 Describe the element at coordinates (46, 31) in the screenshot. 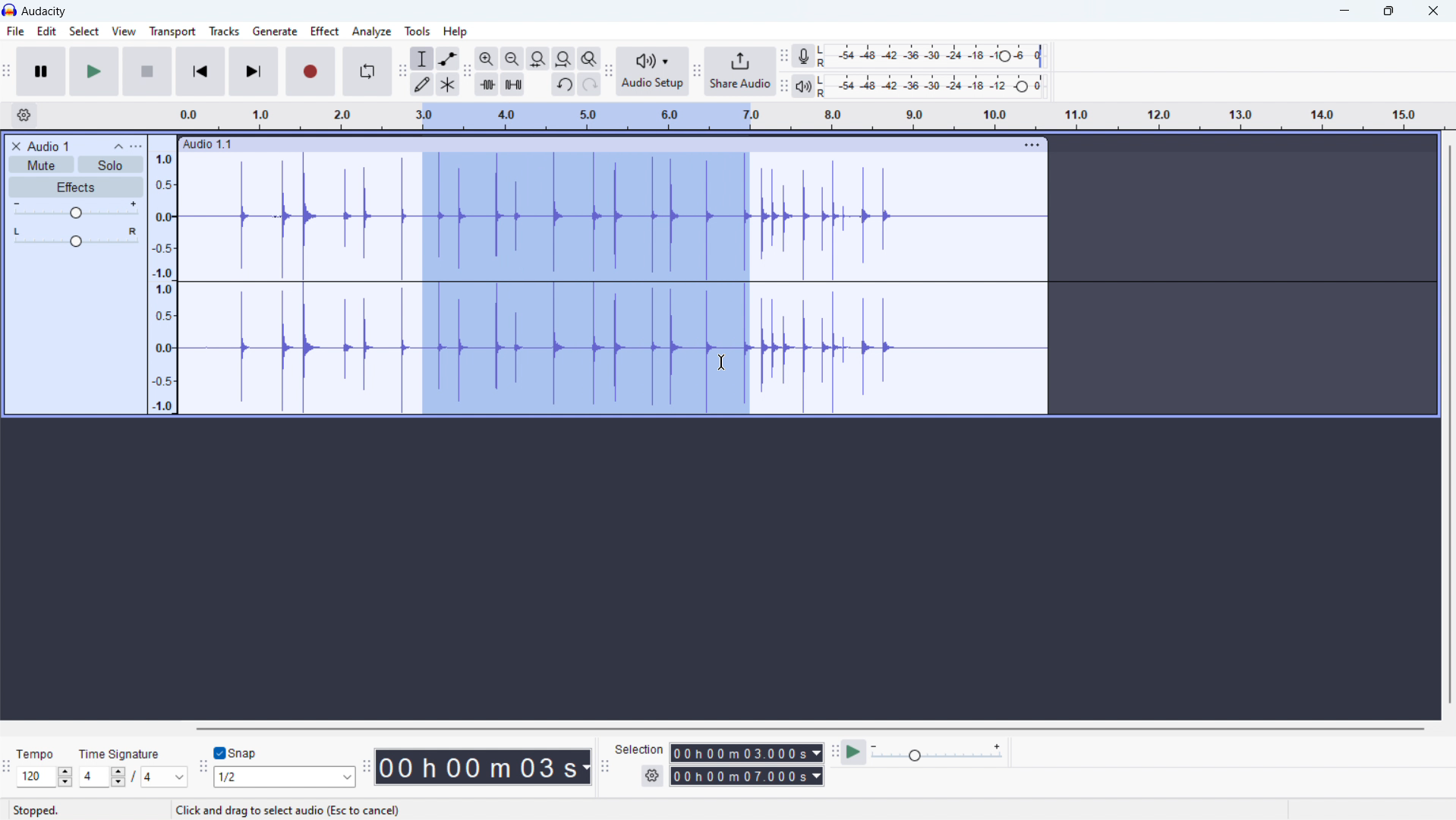

I see `edit` at that location.